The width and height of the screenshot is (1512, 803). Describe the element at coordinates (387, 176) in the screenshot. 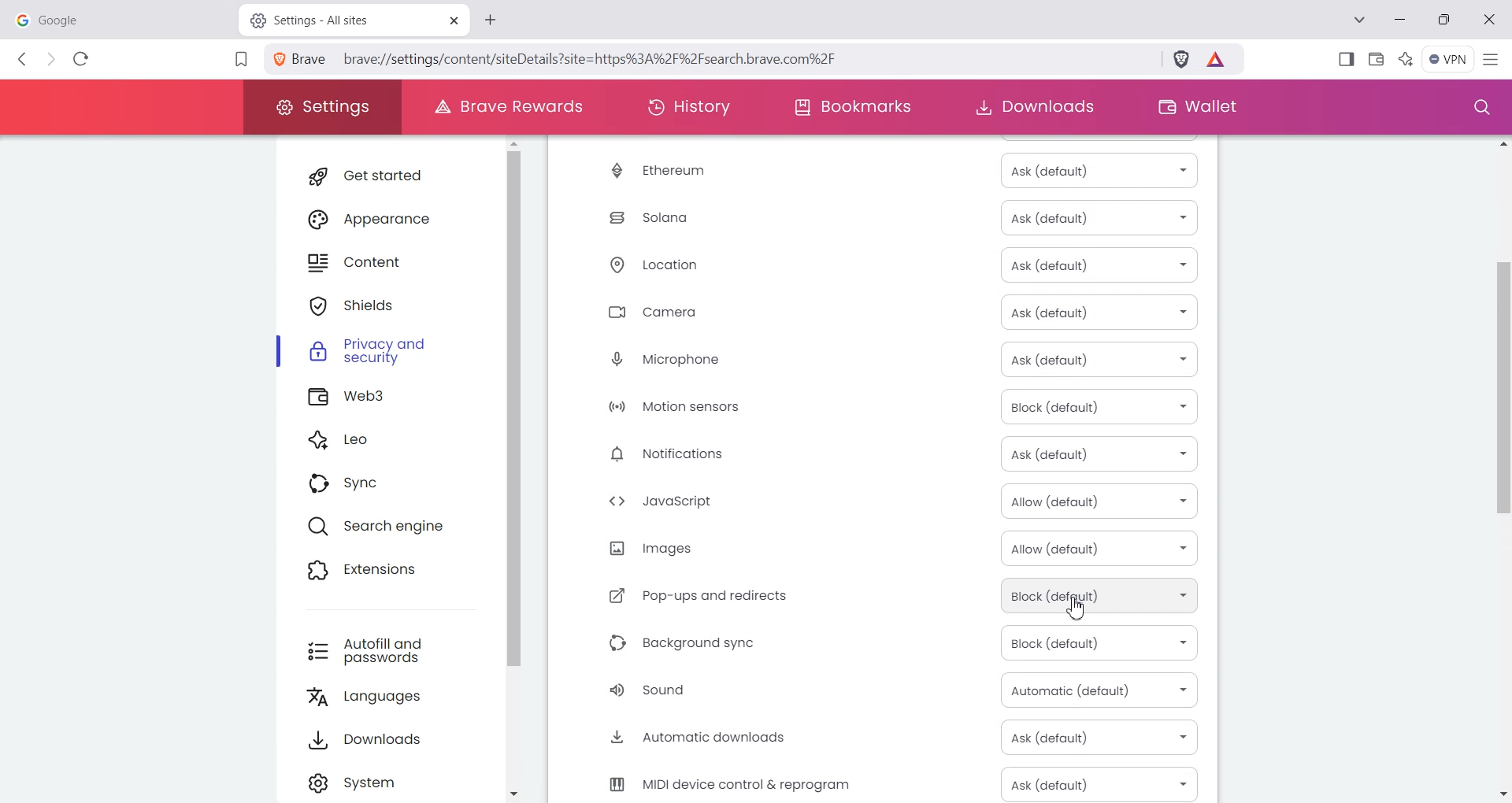

I see `Get started` at that location.